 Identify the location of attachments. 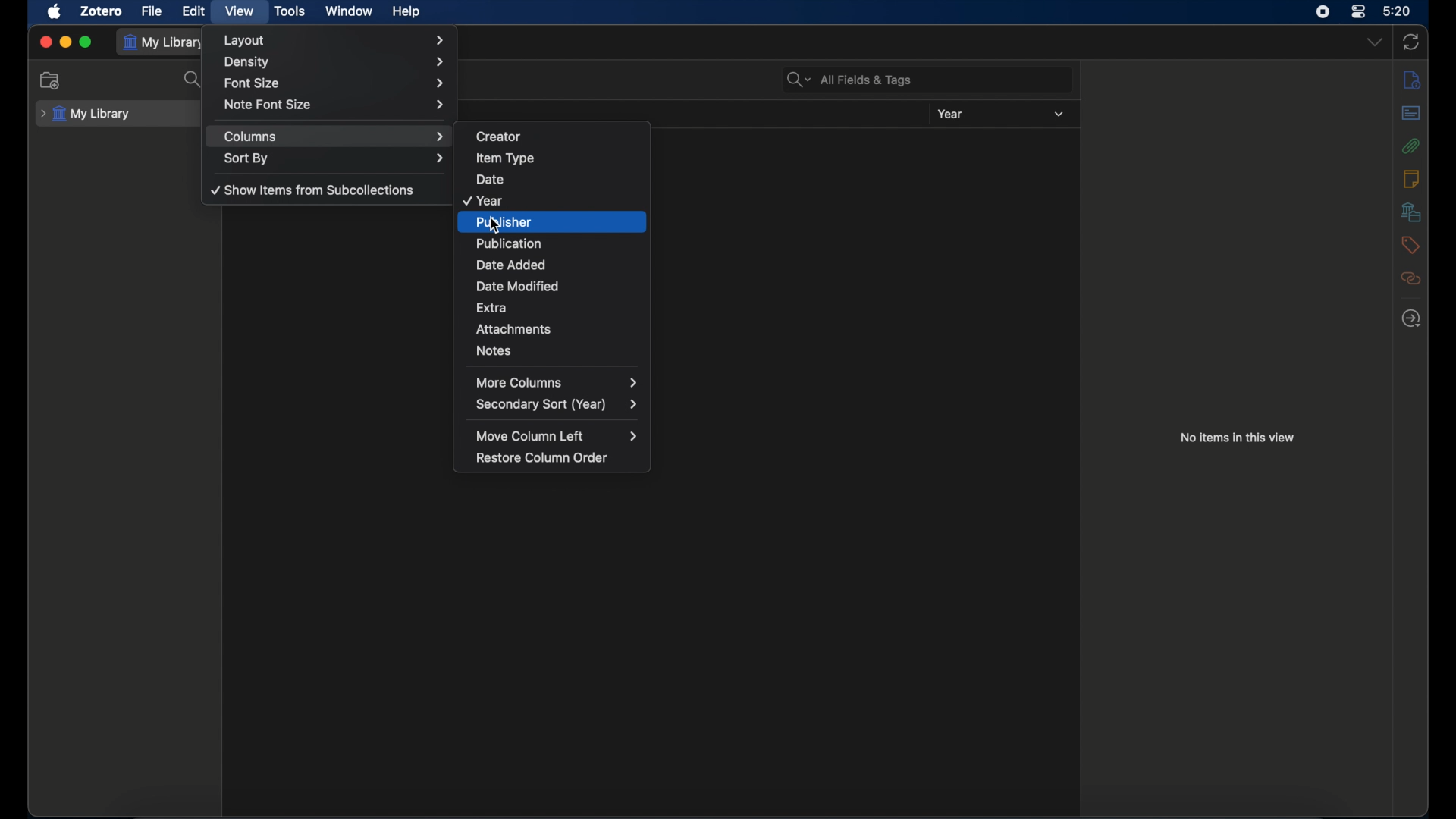
(561, 328).